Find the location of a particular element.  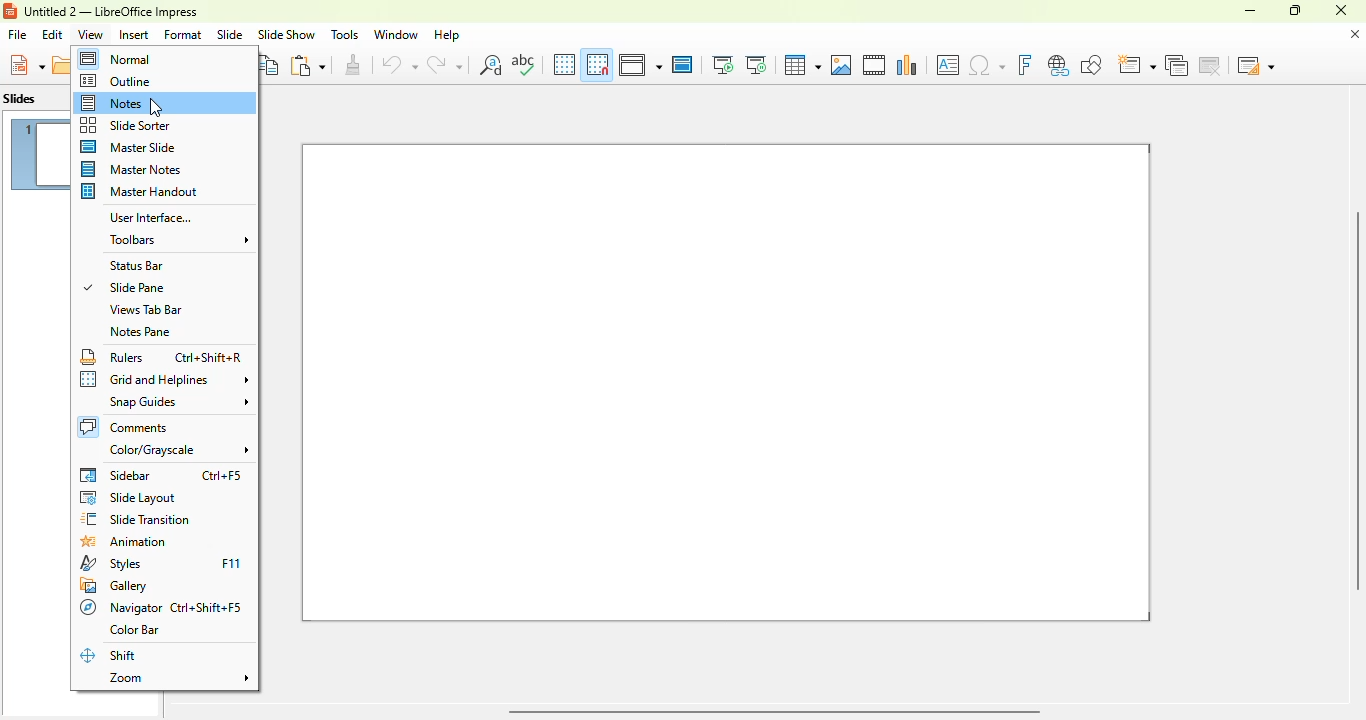

title is located at coordinates (111, 12).